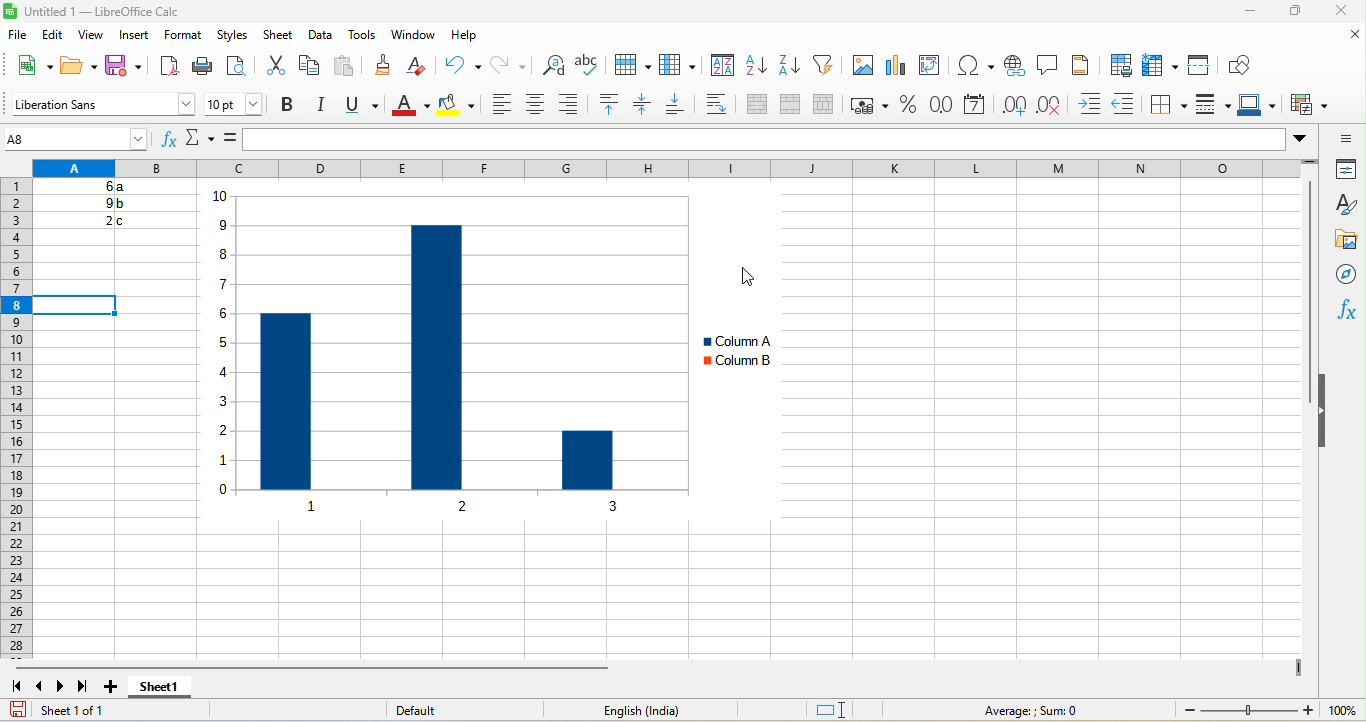 This screenshot has width=1366, height=722. What do you see at coordinates (123, 188) in the screenshot?
I see `a` at bounding box center [123, 188].